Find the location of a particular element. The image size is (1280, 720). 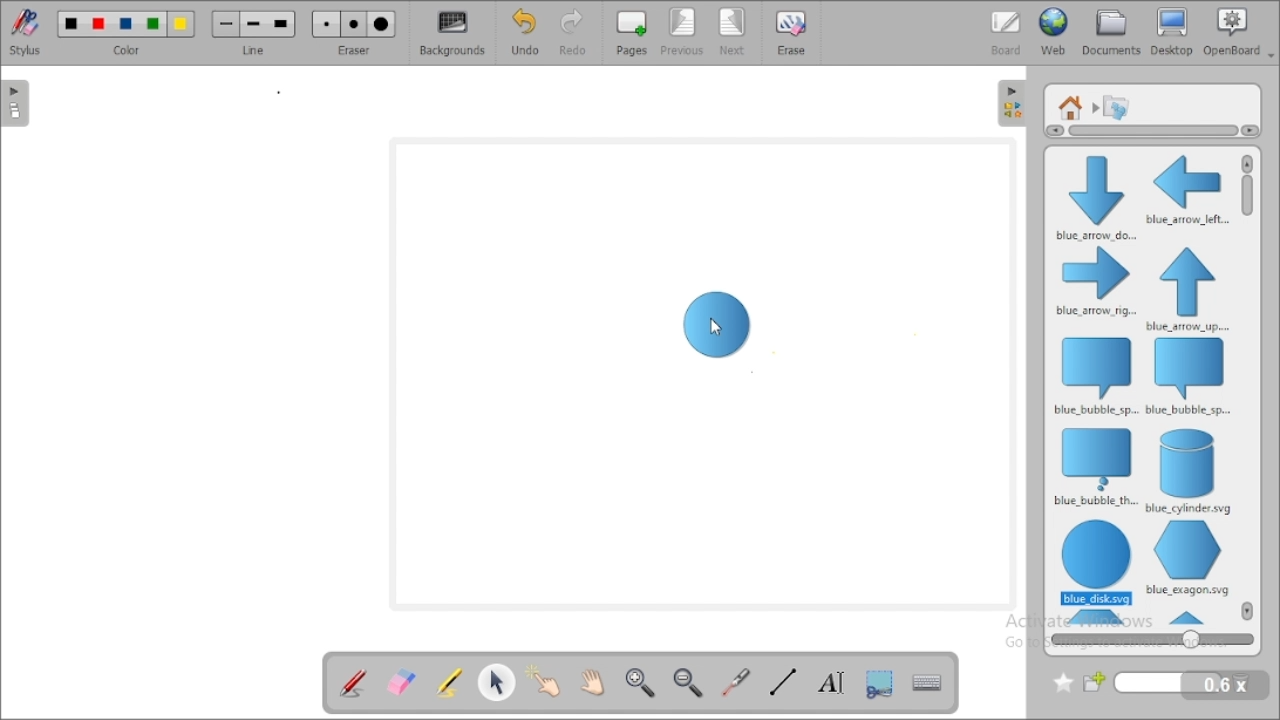

zoom out is located at coordinates (690, 682).